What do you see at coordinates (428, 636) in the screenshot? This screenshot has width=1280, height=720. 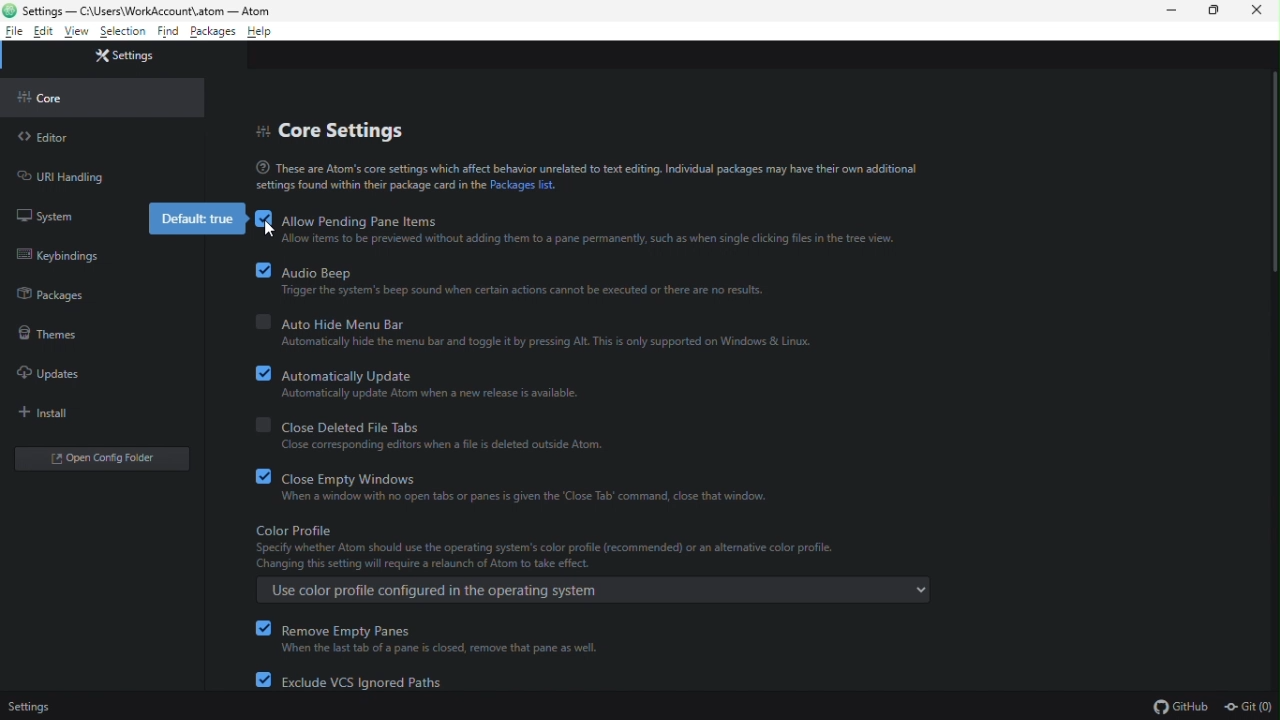 I see `remove empty panes. When the last tab of a pane is closed, remove that pane as well.` at bounding box center [428, 636].